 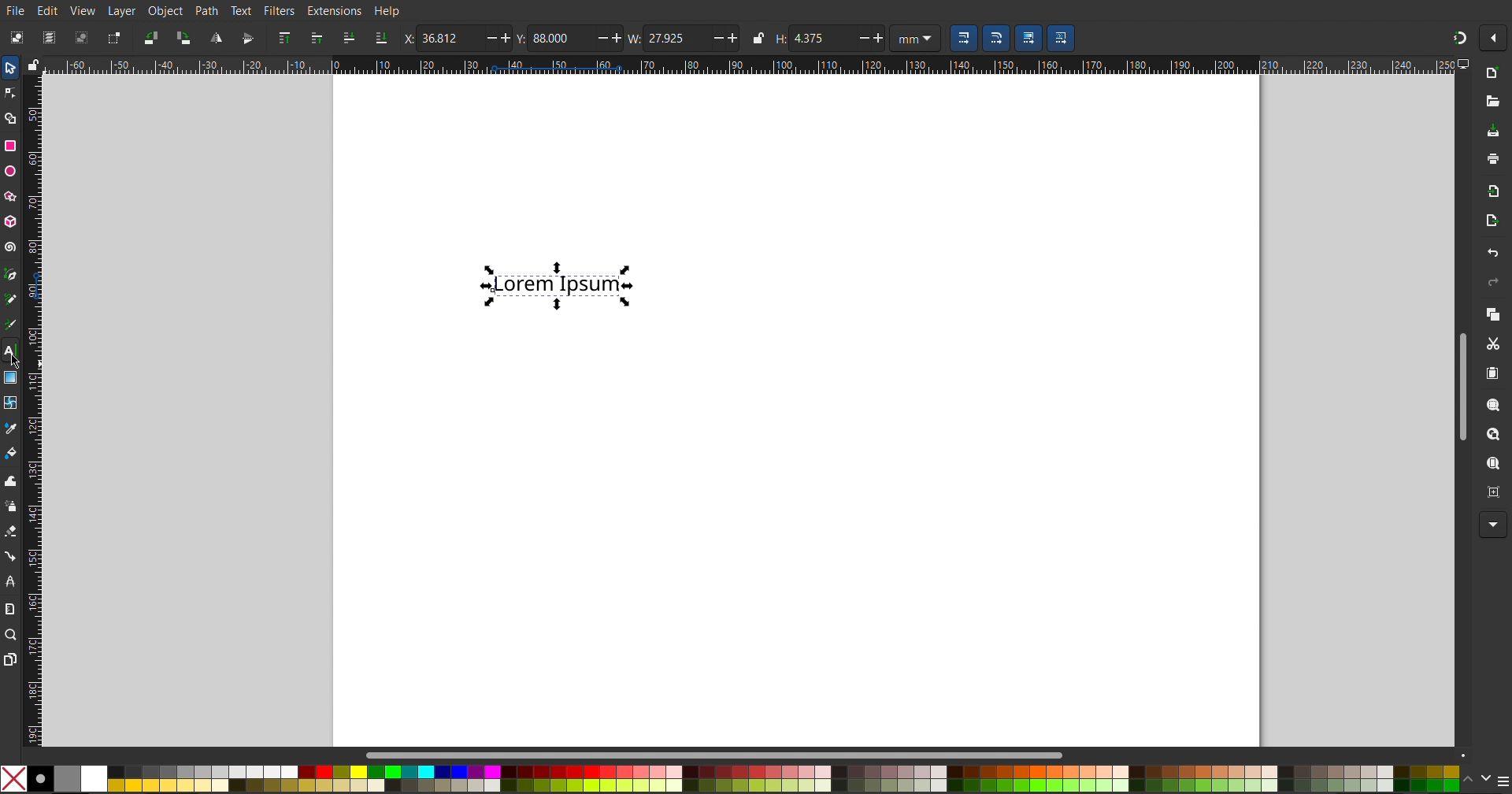 What do you see at coordinates (1492, 491) in the screenshot?
I see `Zoom Center Page` at bounding box center [1492, 491].